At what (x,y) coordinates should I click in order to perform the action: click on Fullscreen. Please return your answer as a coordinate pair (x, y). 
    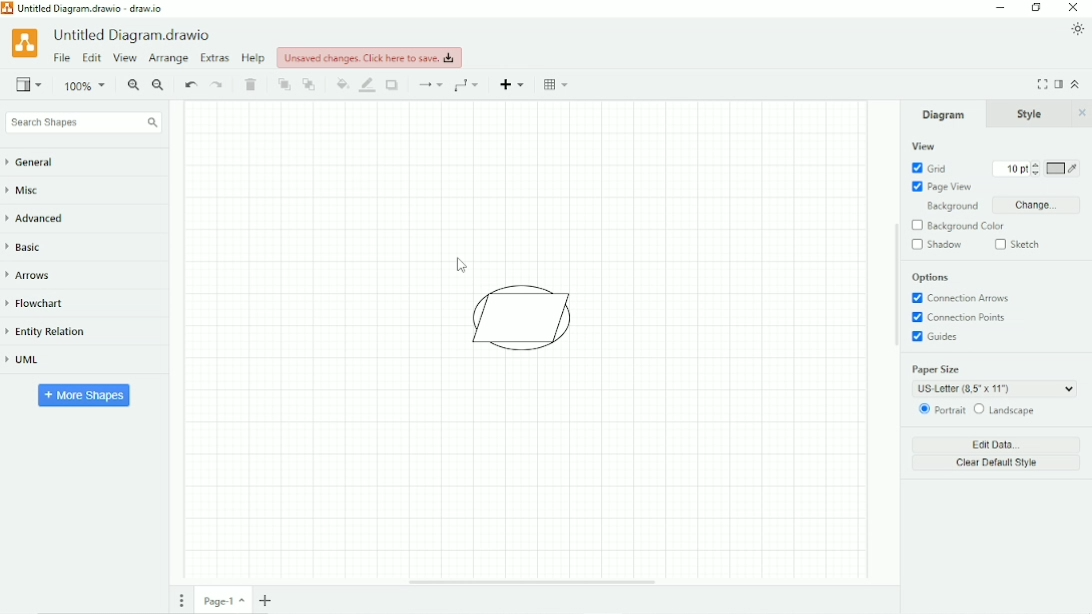
    Looking at the image, I should click on (1042, 84).